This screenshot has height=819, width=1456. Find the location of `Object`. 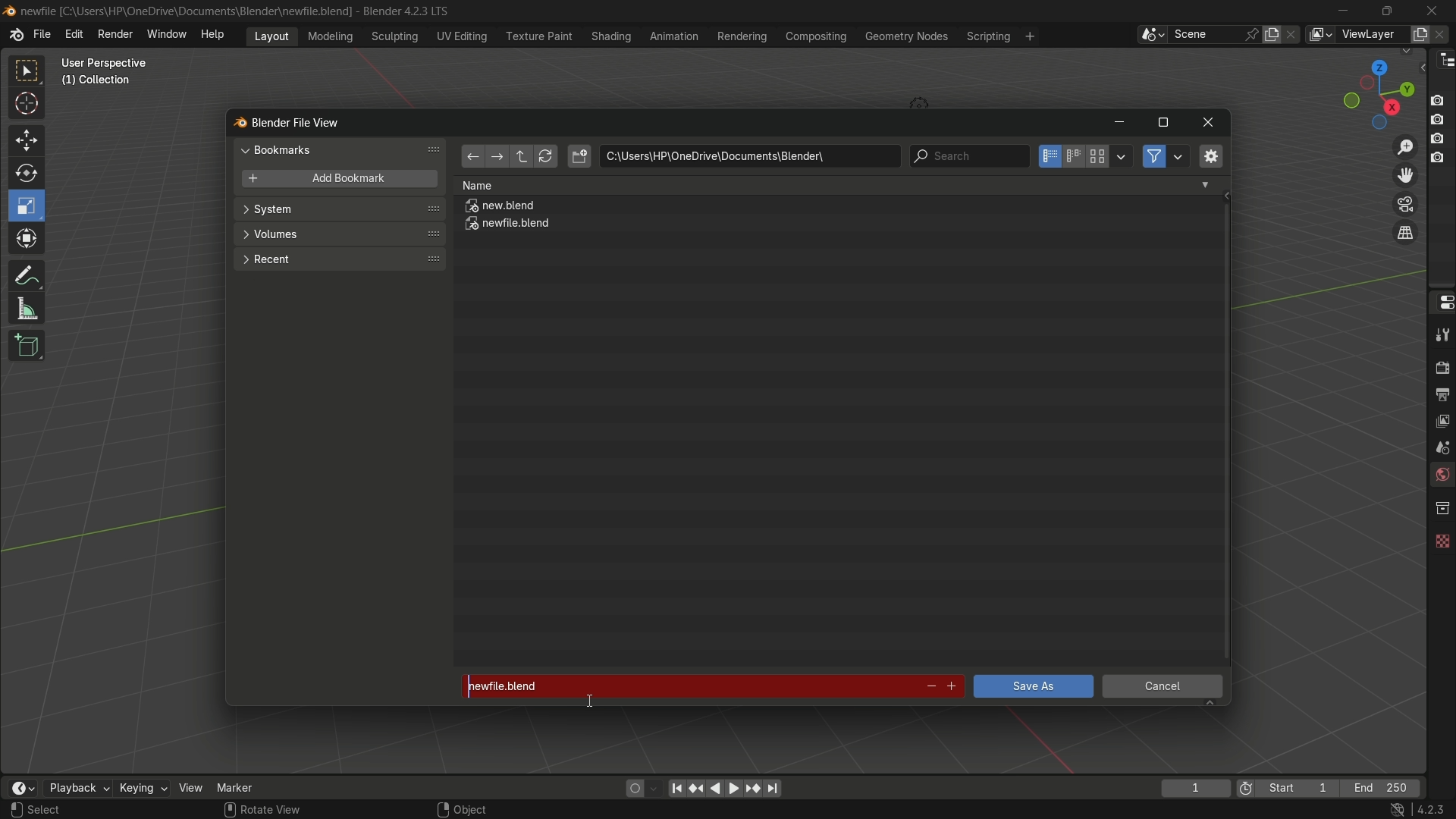

Object is located at coordinates (480, 805).